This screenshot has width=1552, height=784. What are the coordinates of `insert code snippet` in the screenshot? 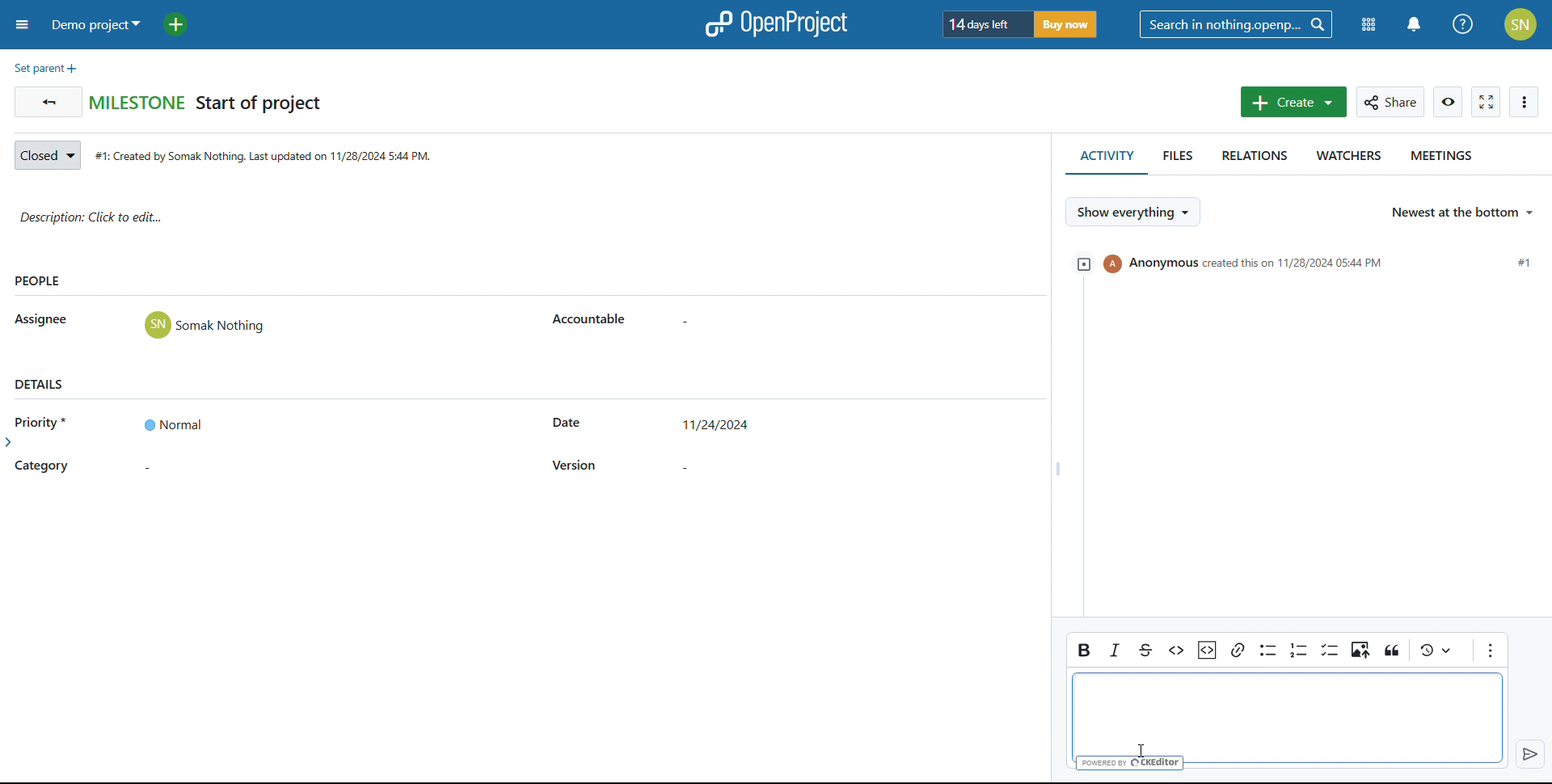 It's located at (1208, 650).